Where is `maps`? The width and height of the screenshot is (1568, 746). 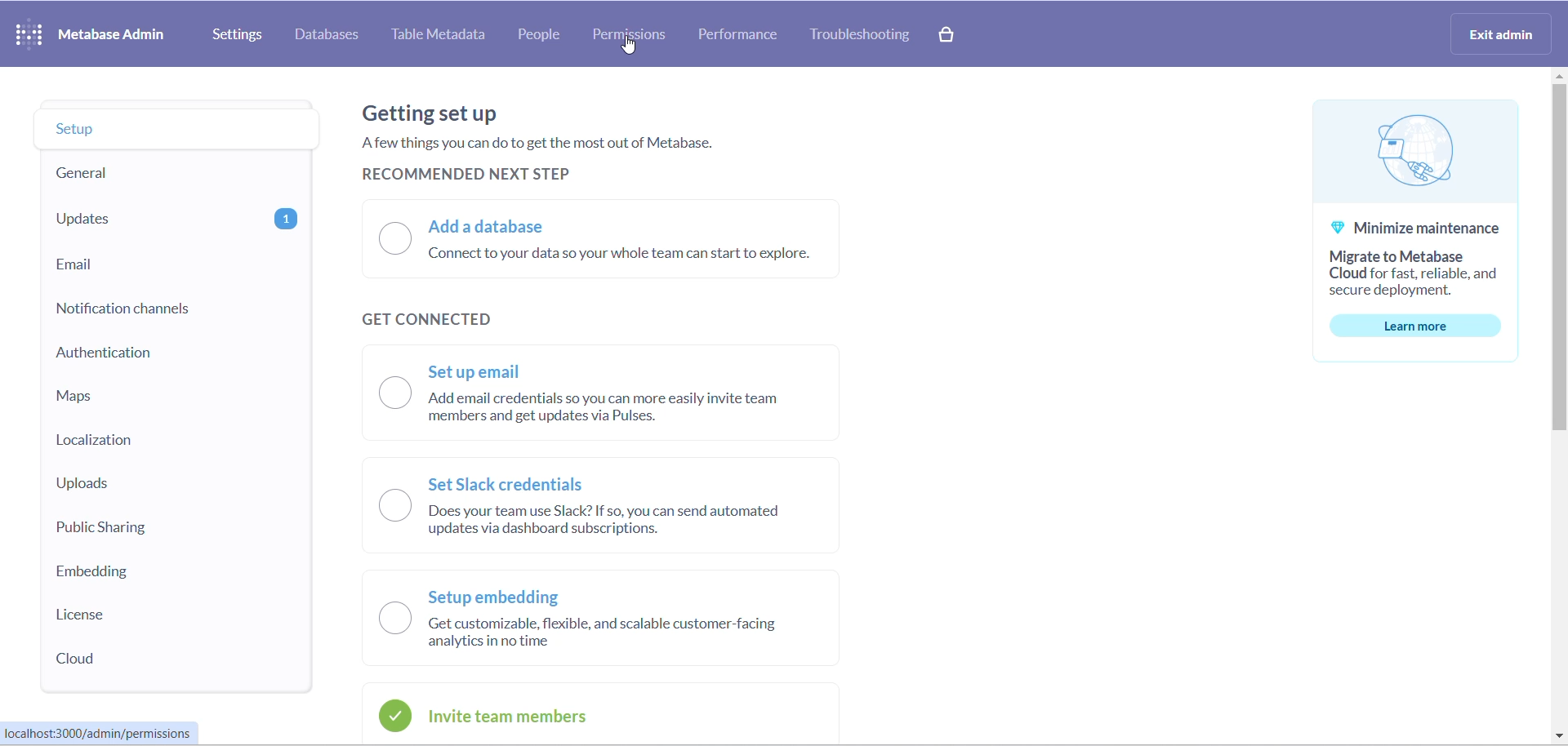 maps is located at coordinates (163, 397).